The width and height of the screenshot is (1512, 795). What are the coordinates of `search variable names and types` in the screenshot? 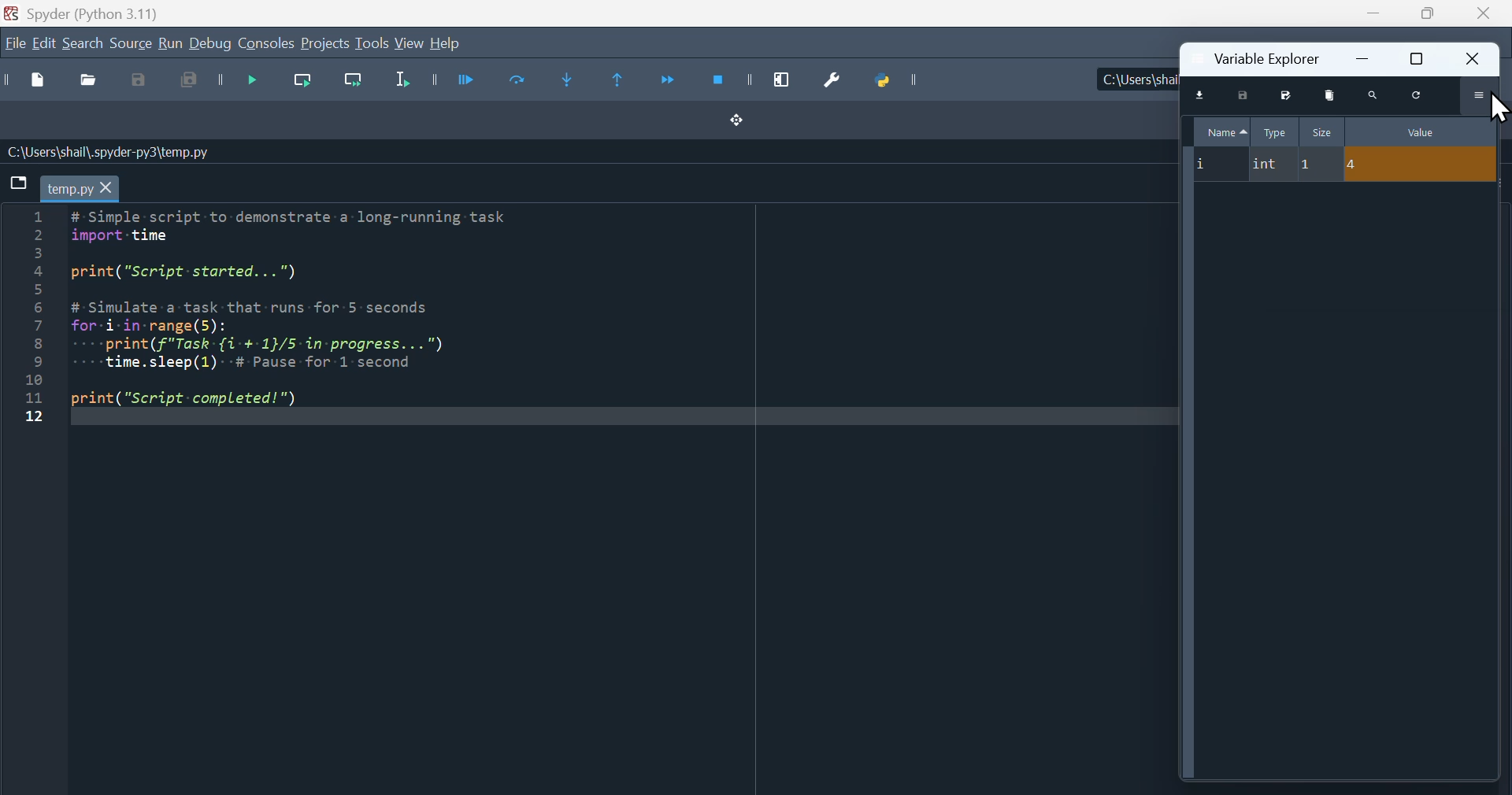 It's located at (1375, 94).